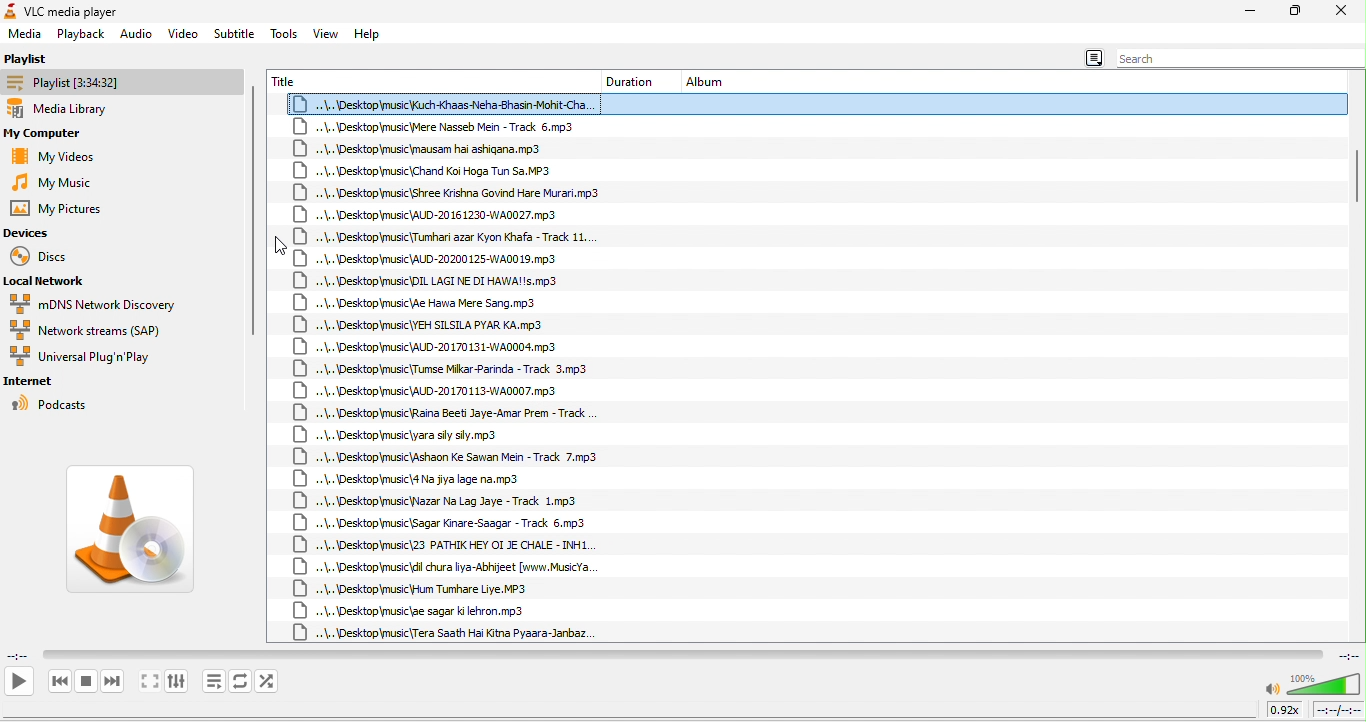  Describe the element at coordinates (1236, 59) in the screenshot. I see `search` at that location.